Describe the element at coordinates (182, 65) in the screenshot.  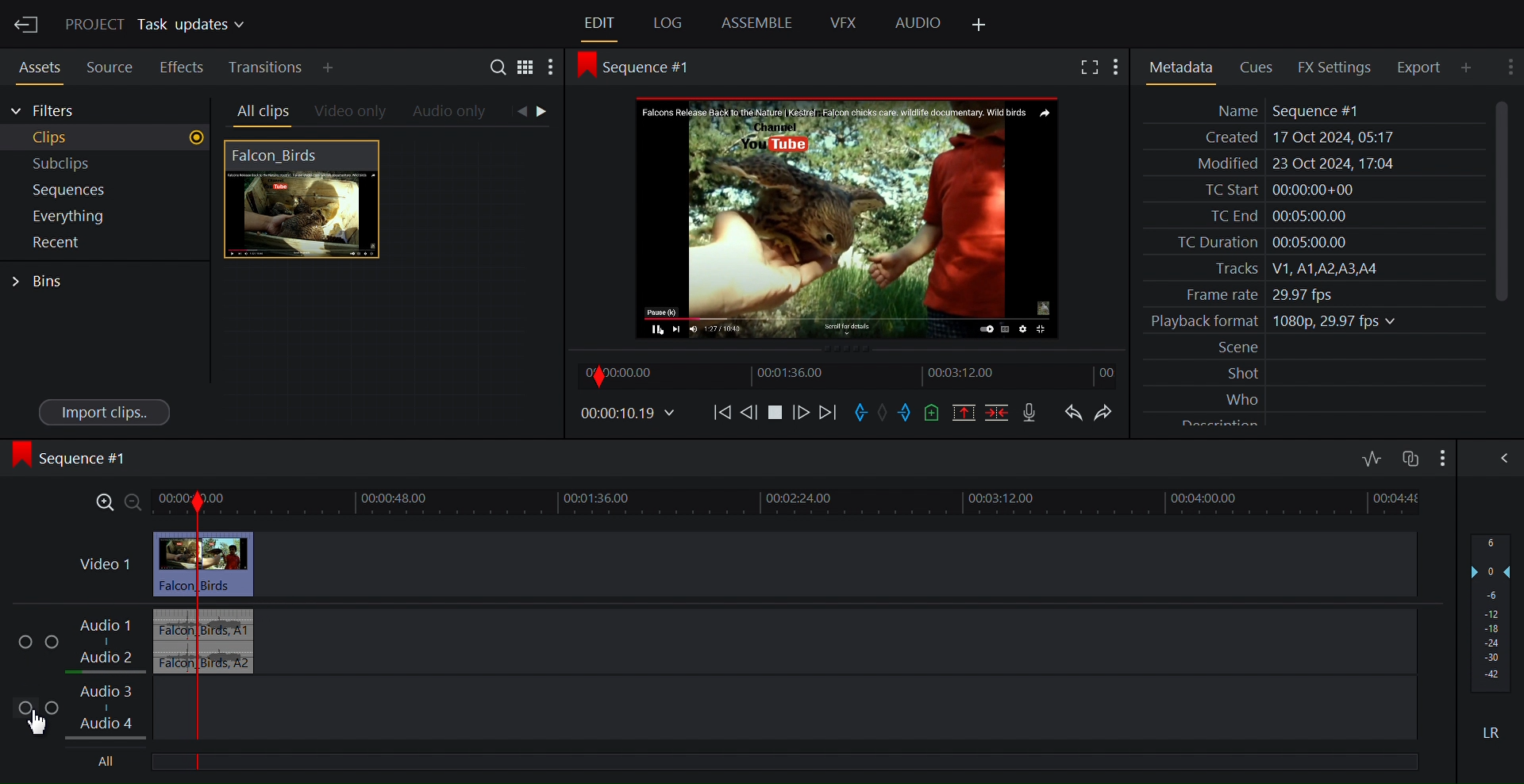
I see `Effects` at that location.